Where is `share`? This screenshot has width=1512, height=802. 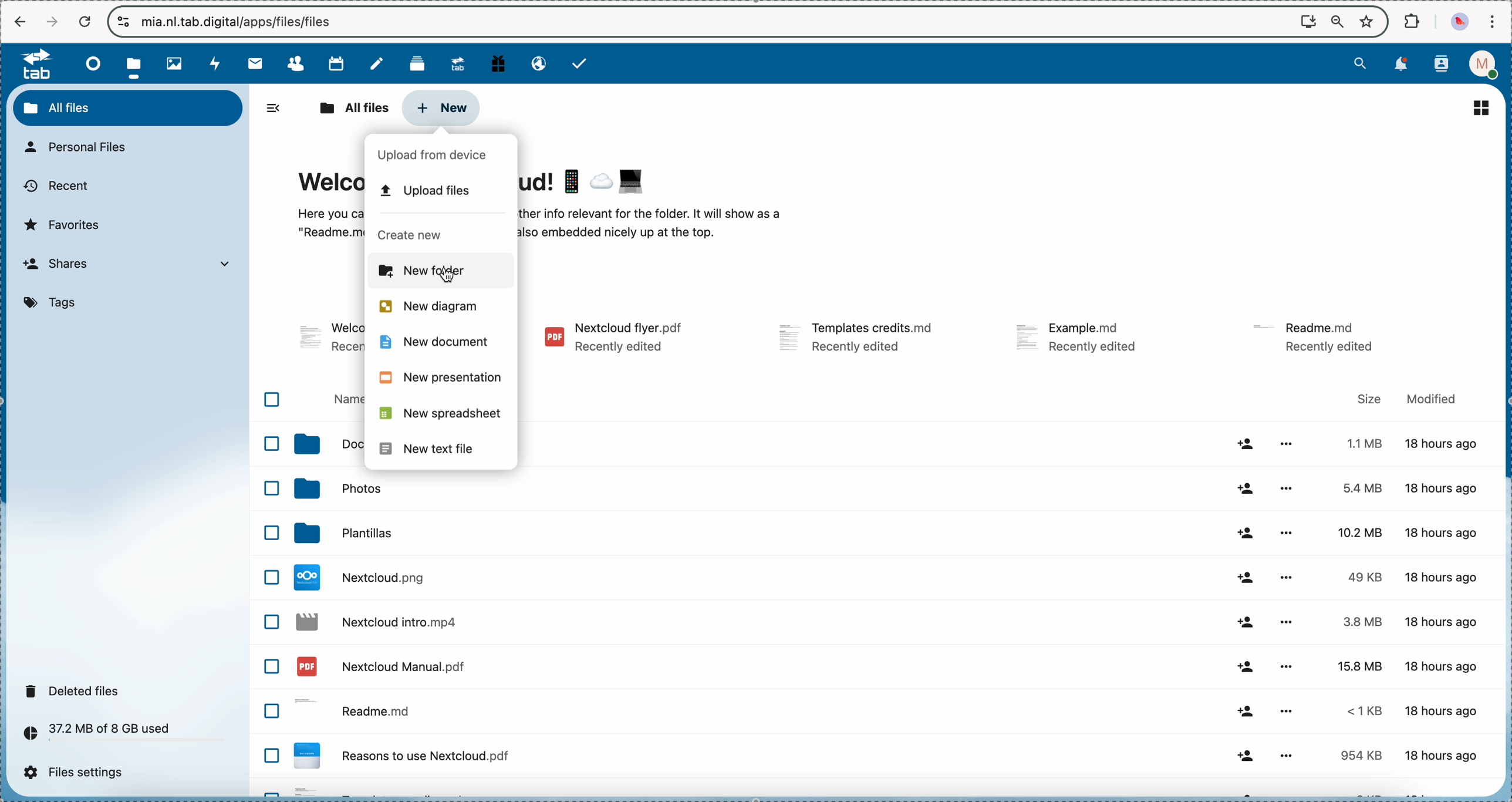
share is located at coordinates (1248, 664).